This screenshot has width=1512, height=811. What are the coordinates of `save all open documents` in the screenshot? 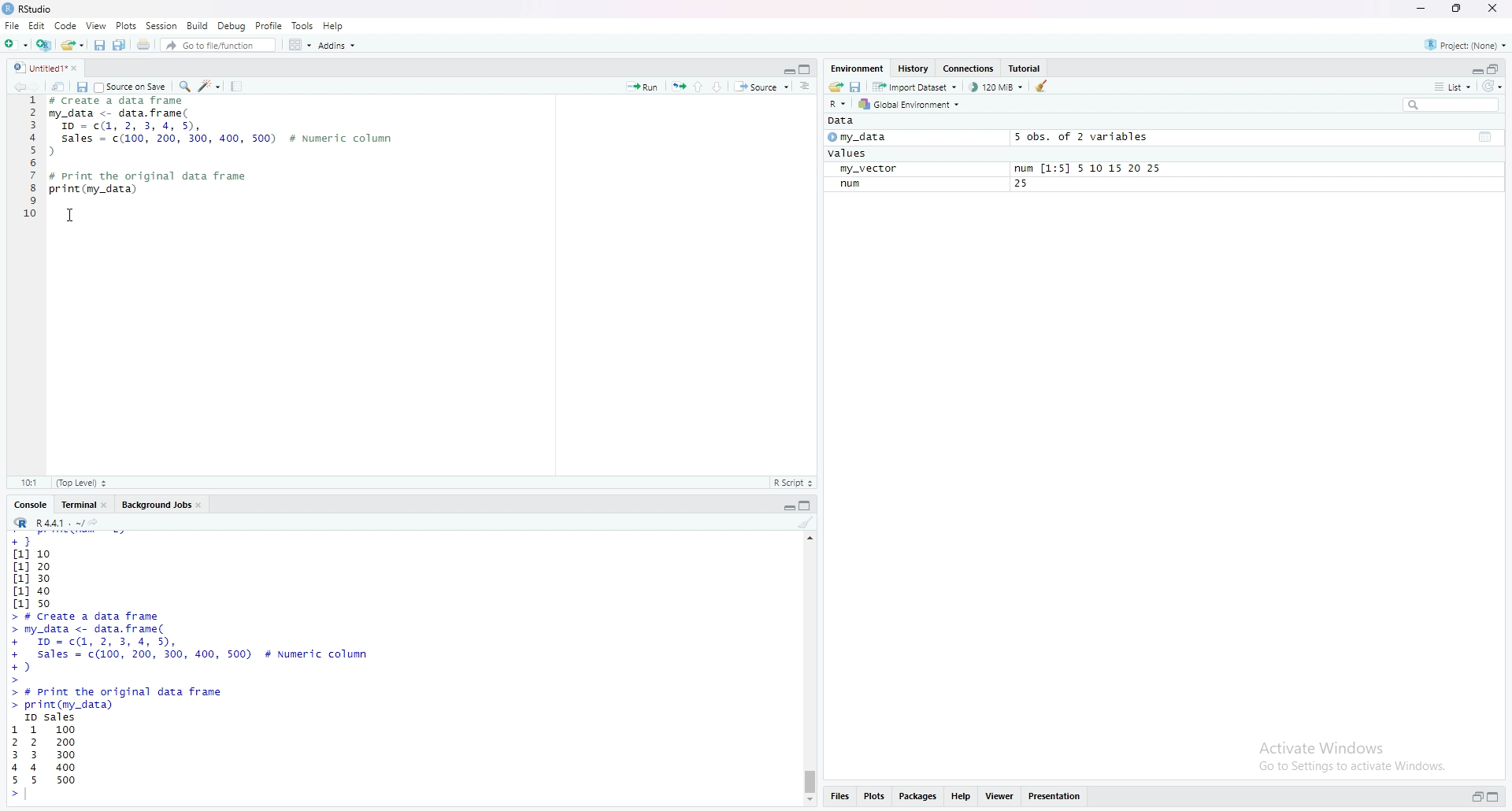 It's located at (122, 46).